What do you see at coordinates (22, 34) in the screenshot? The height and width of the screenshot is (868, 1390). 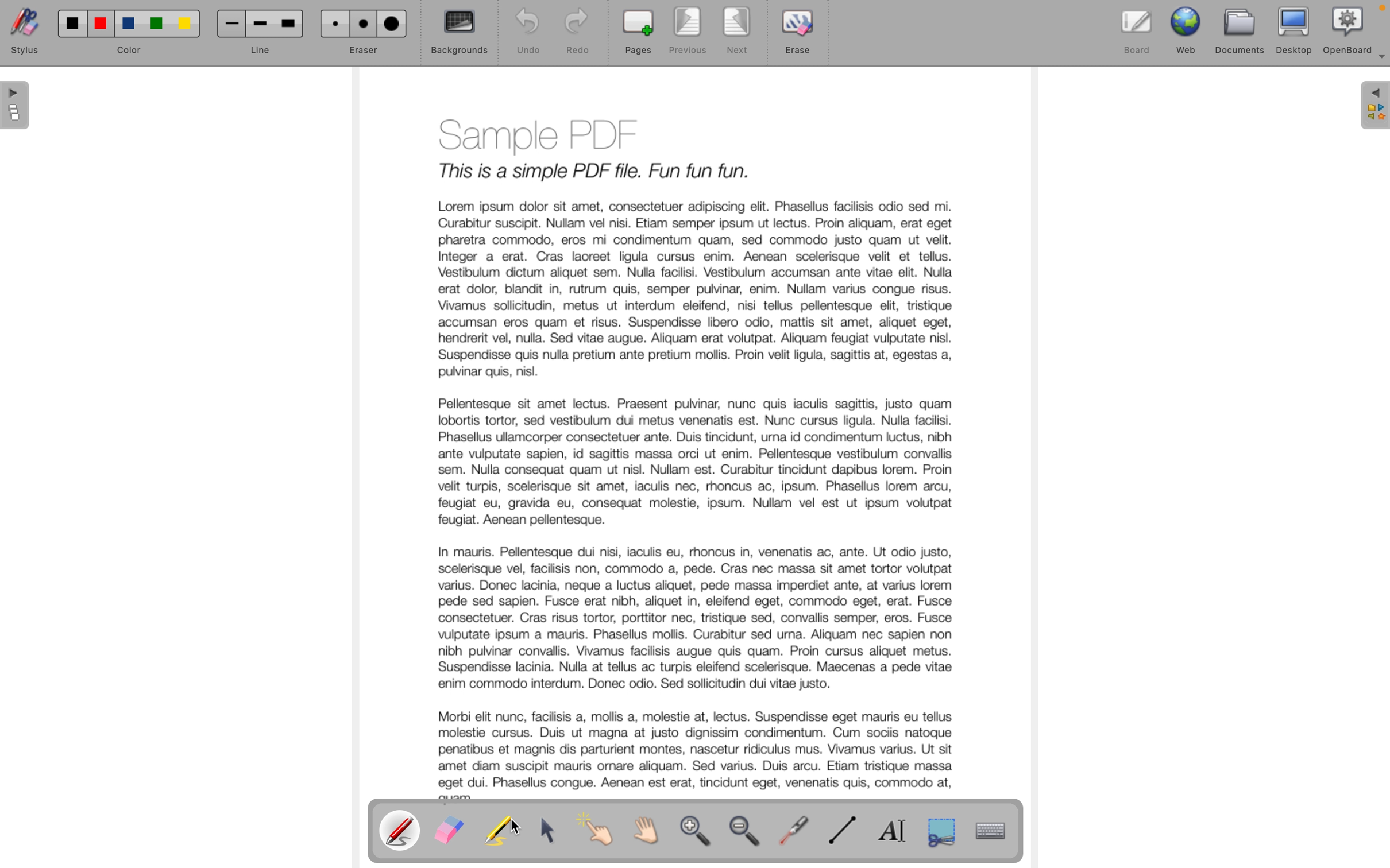 I see `stylus` at bounding box center [22, 34].